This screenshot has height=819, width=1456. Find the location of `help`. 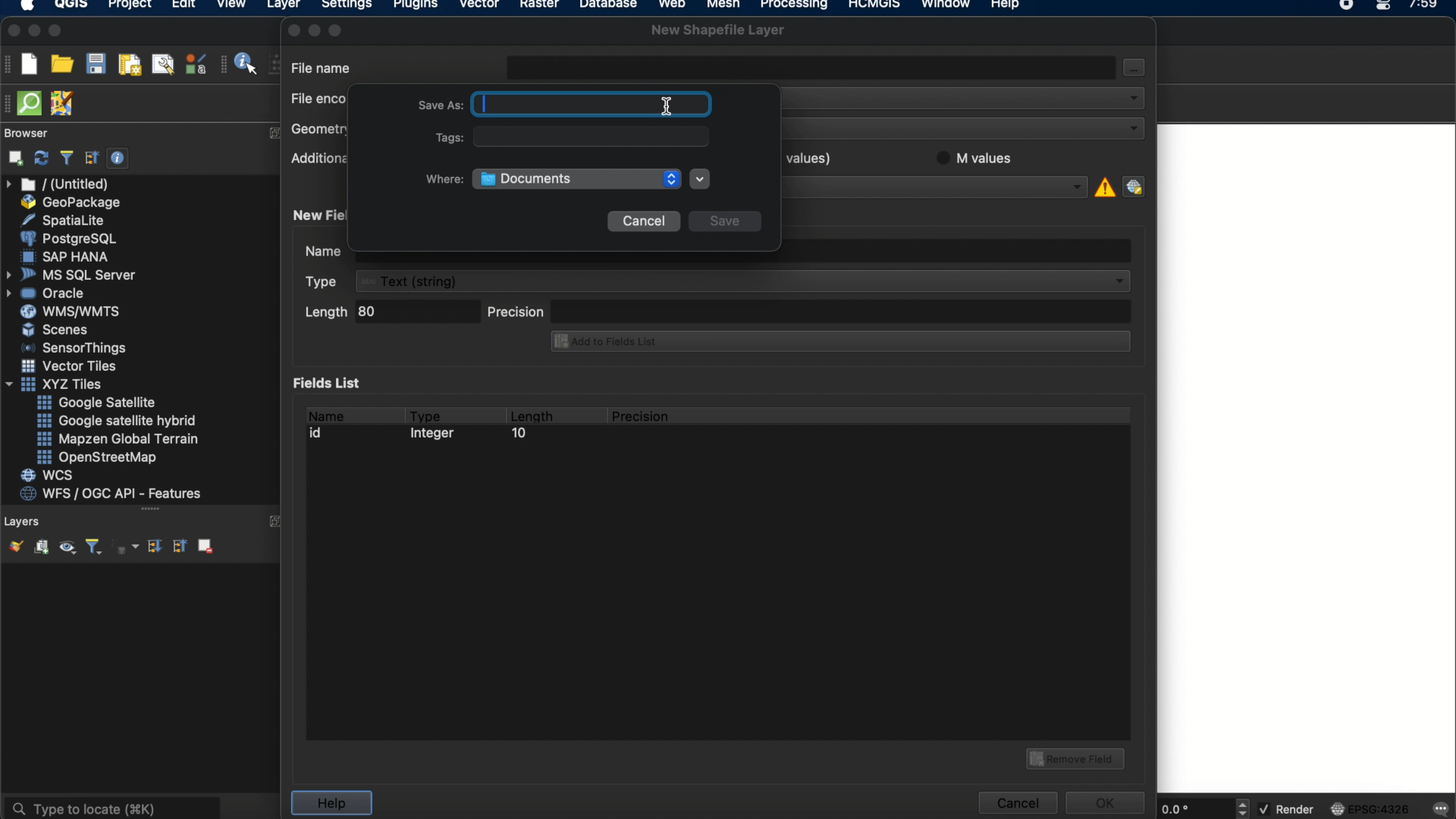

help is located at coordinates (331, 803).